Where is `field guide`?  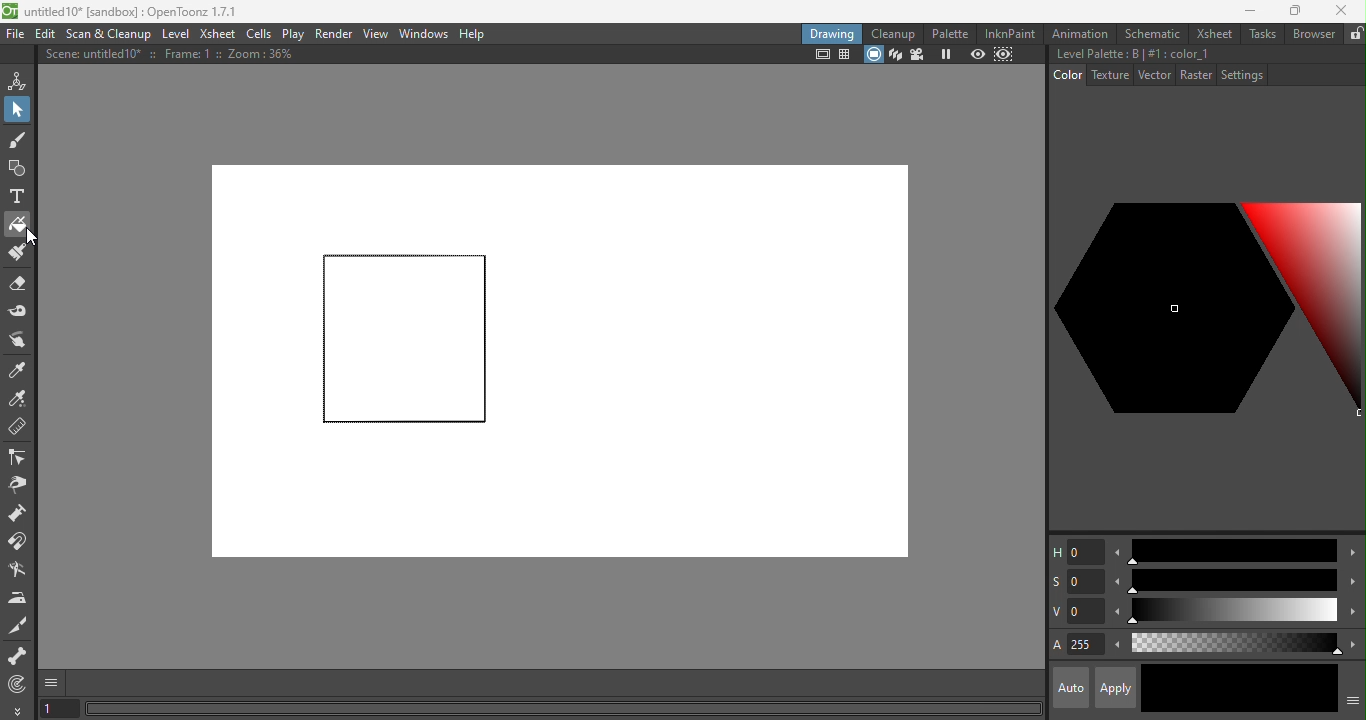 field guide is located at coordinates (846, 56).